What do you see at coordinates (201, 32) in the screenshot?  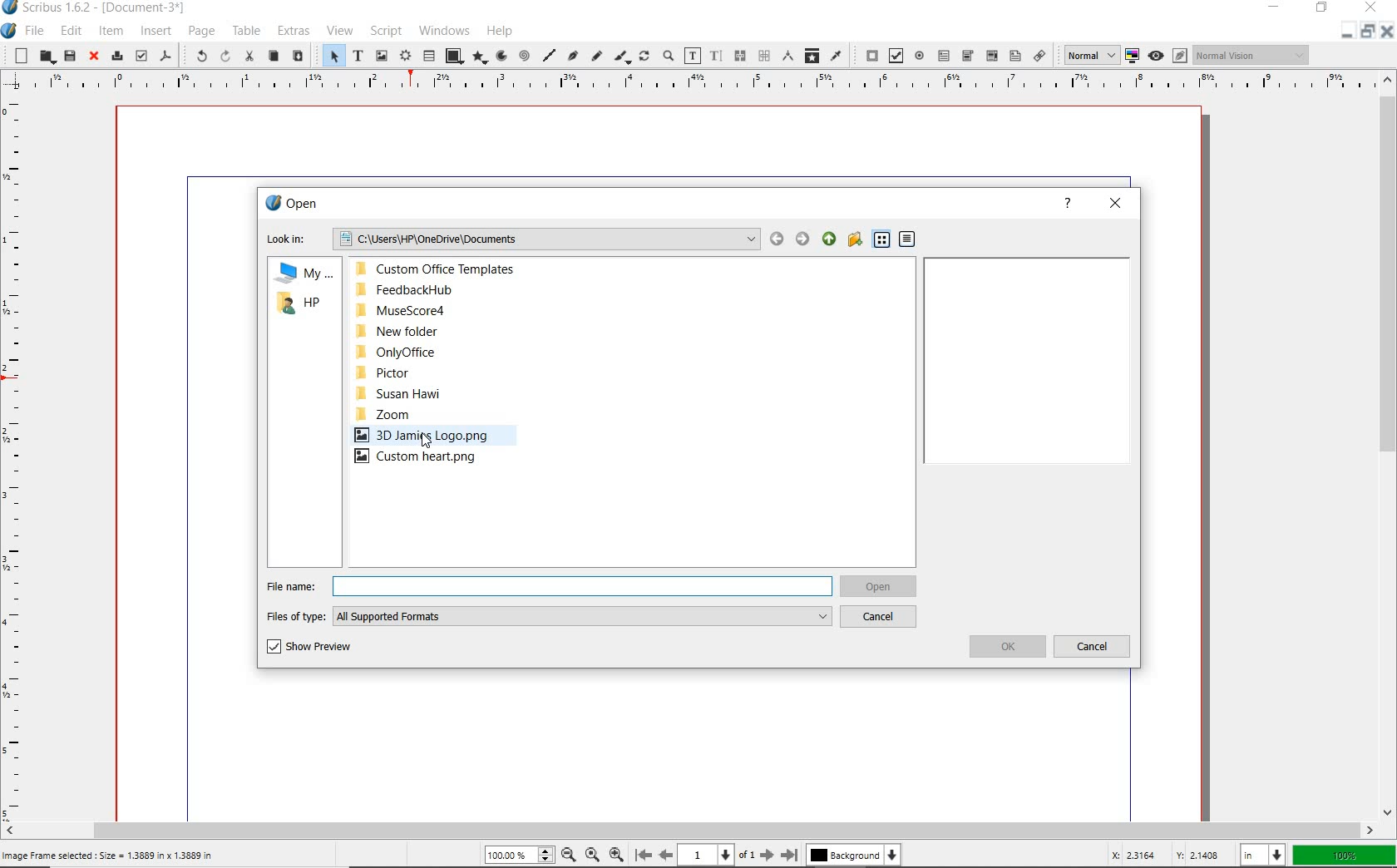 I see `PAGE` at bounding box center [201, 32].